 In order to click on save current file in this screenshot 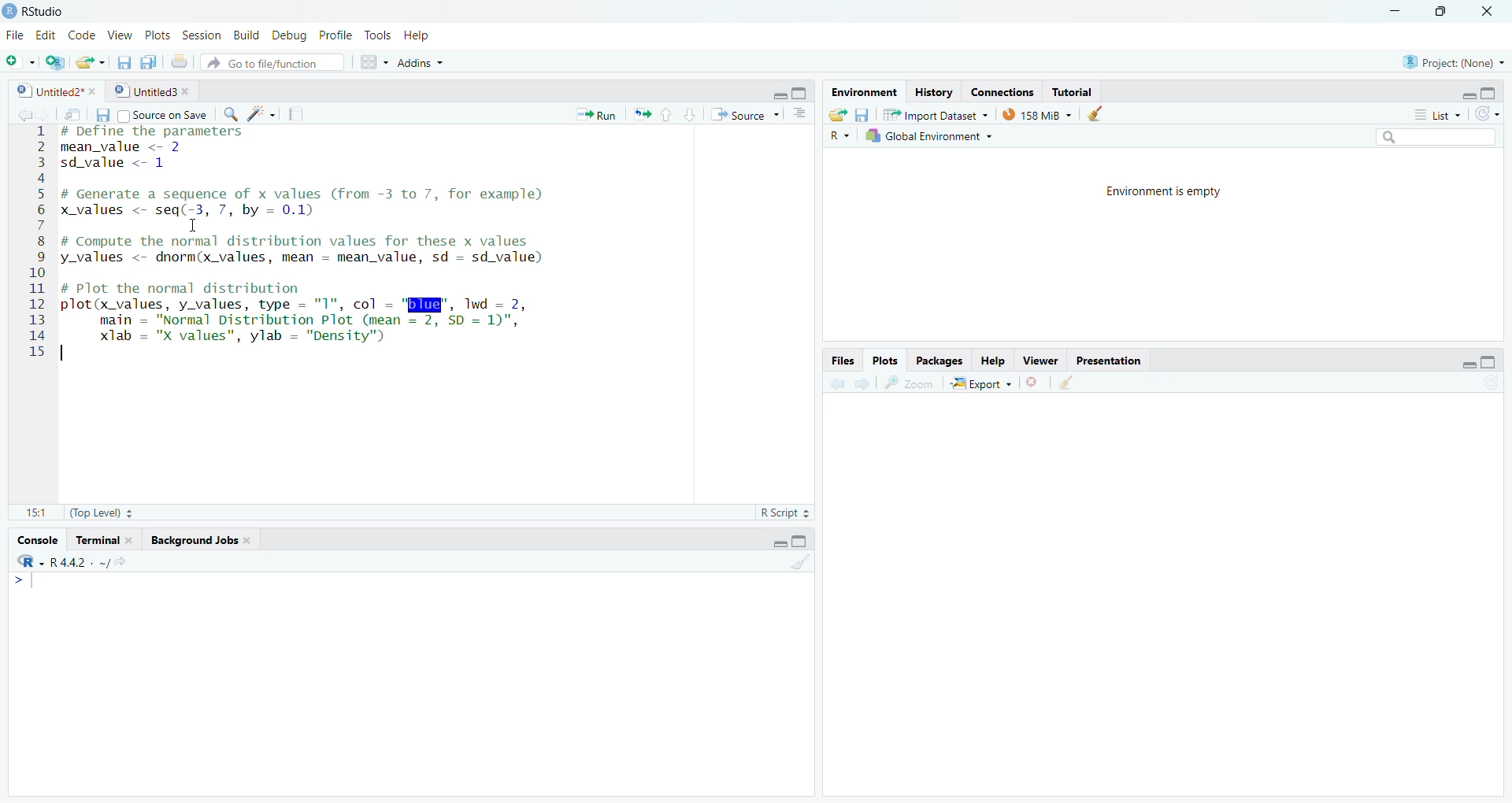, I will do `click(124, 60)`.